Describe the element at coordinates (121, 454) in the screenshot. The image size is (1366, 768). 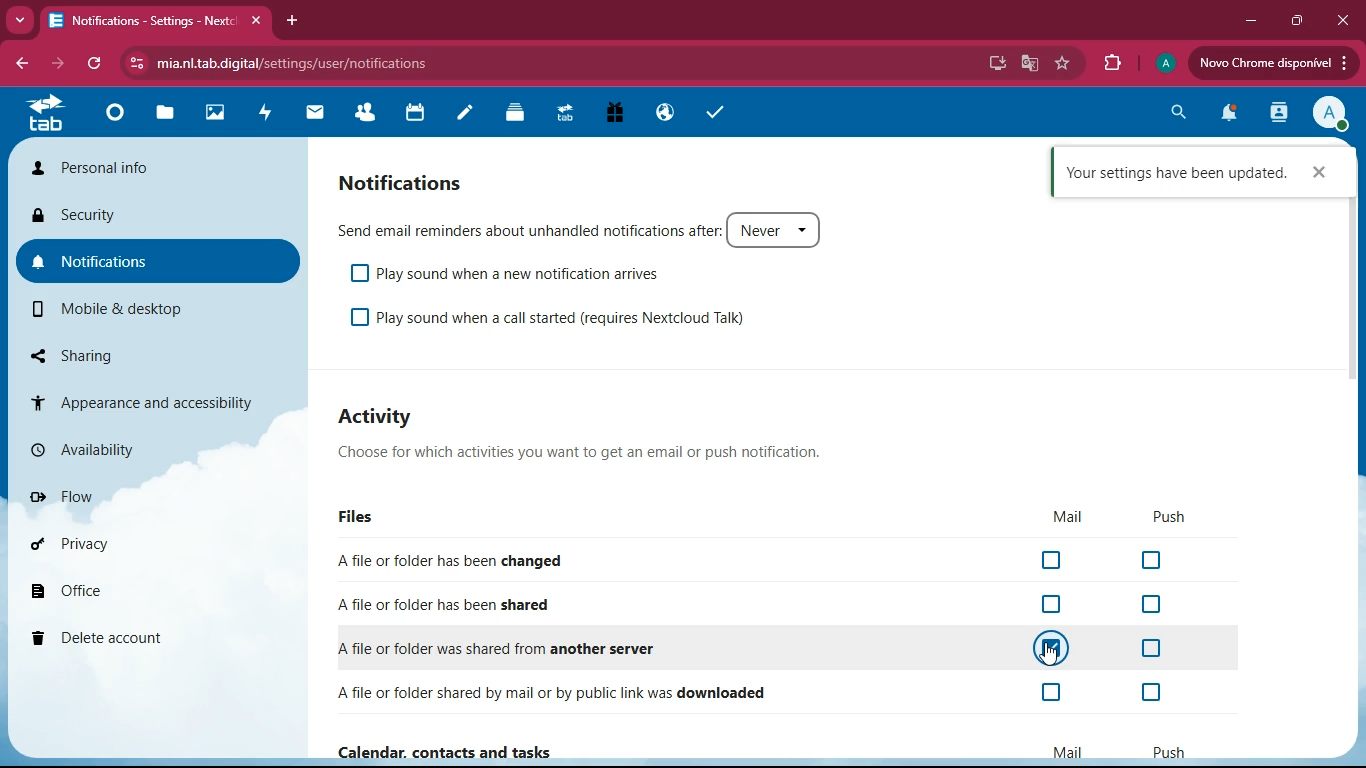
I see `availability` at that location.